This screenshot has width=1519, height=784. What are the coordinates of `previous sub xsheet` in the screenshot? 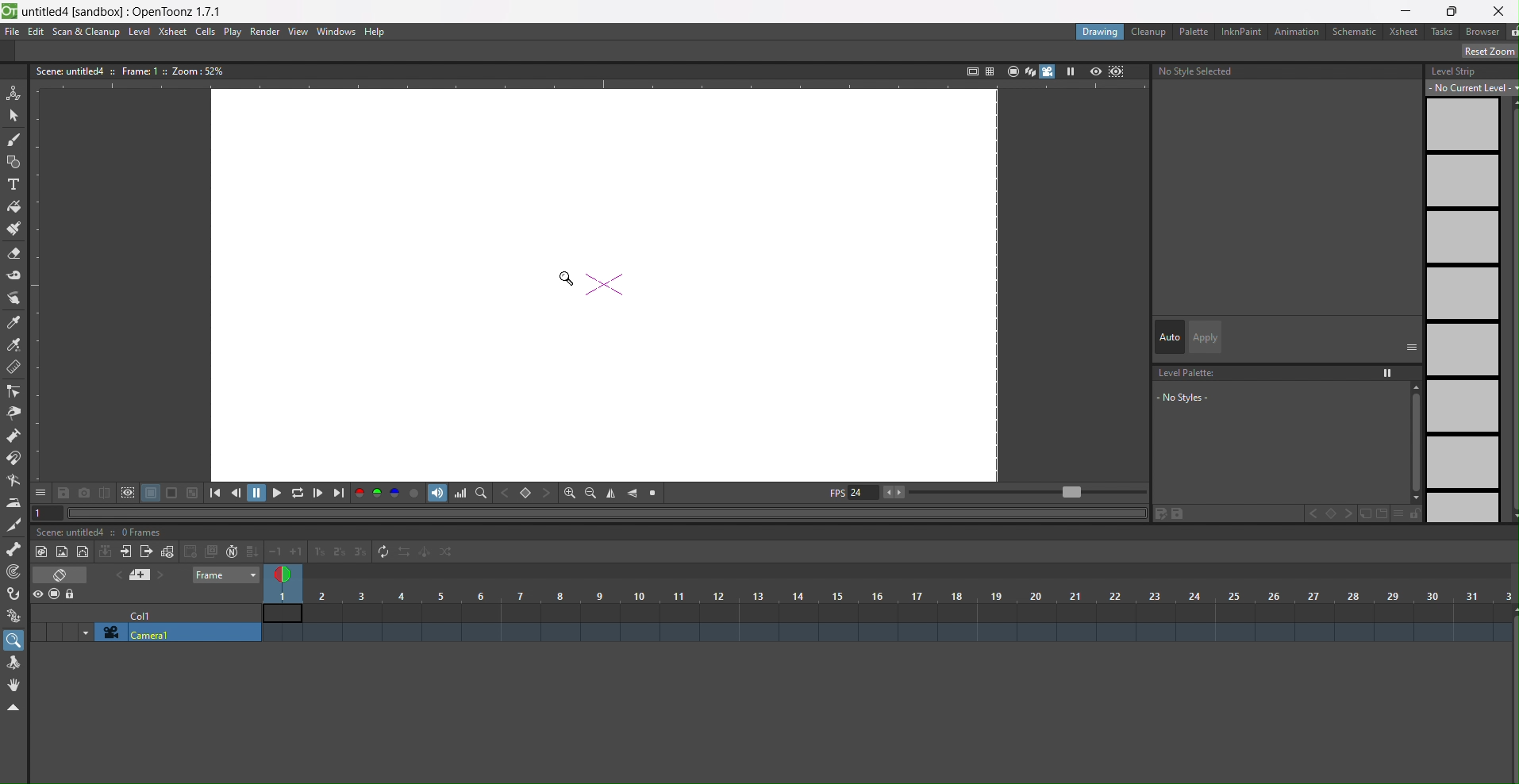 It's located at (127, 552).